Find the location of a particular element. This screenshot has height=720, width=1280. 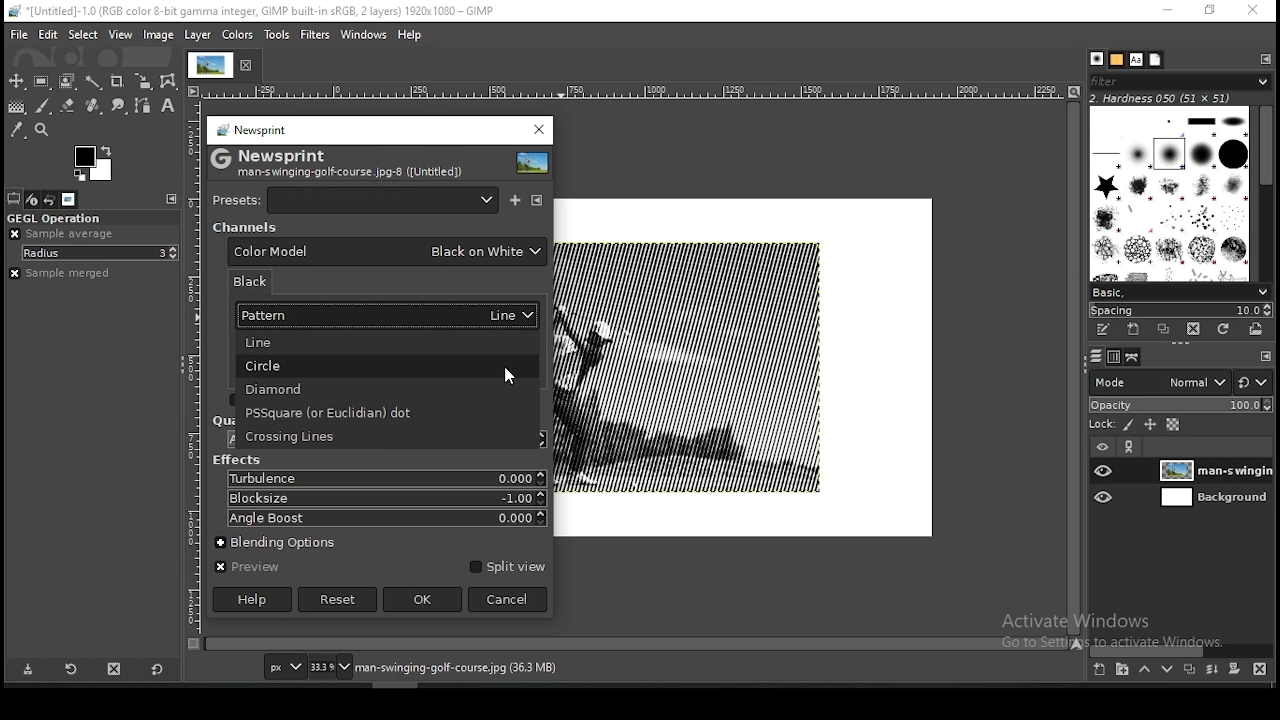

tab is located at coordinates (225, 66).